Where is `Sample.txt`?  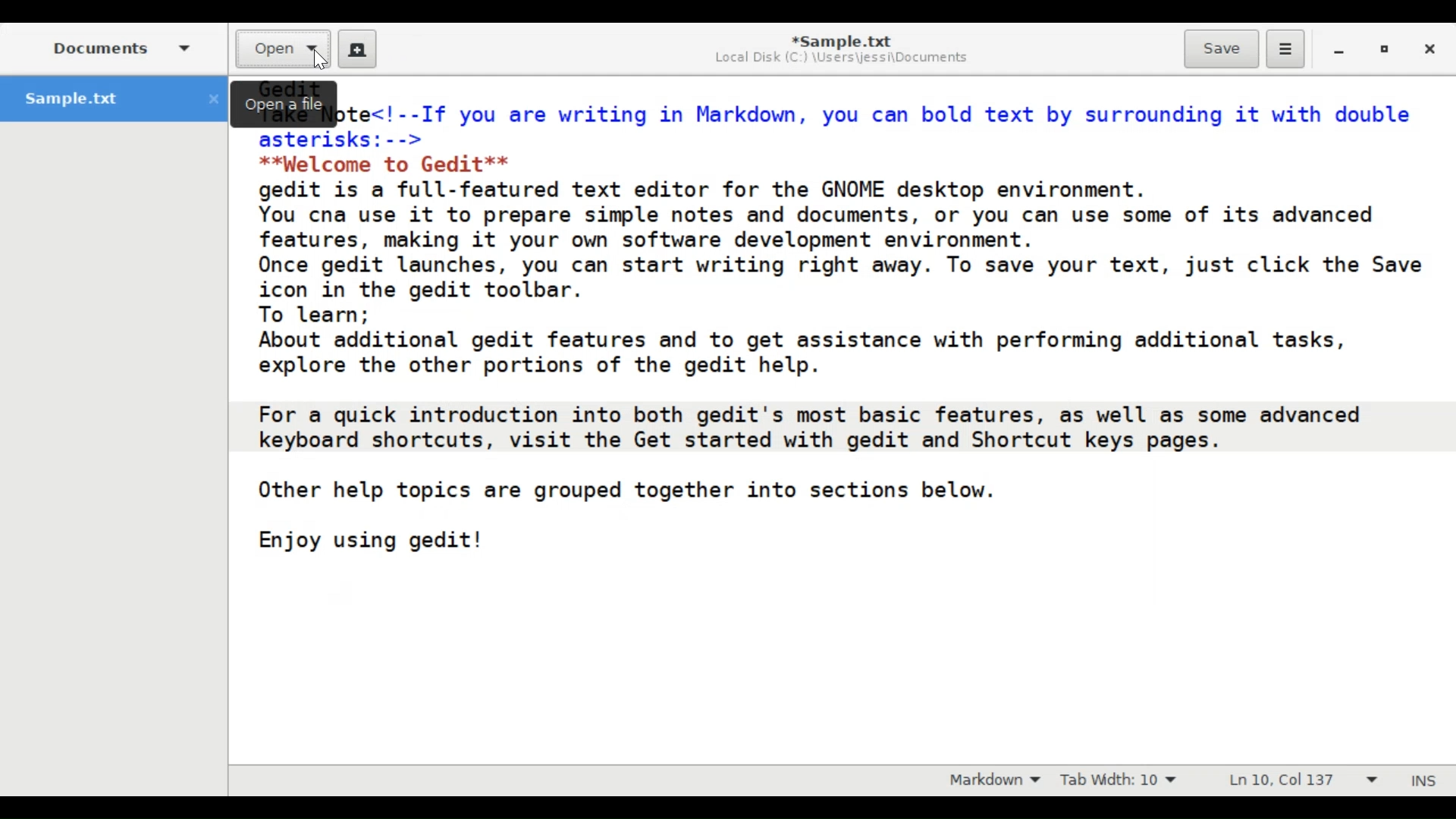
Sample.txt is located at coordinates (115, 99).